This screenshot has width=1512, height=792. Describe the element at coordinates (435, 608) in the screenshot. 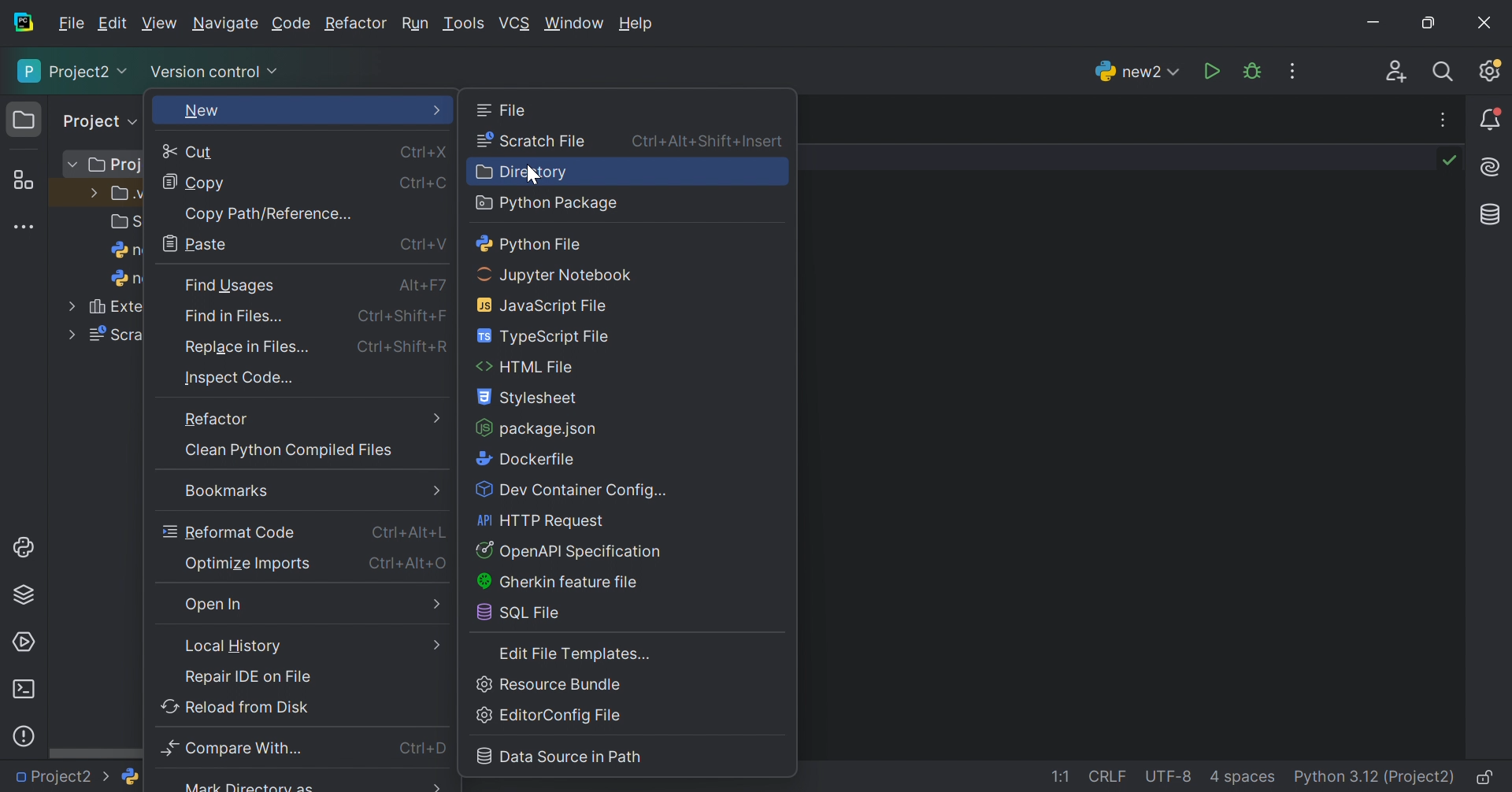

I see `More` at that location.